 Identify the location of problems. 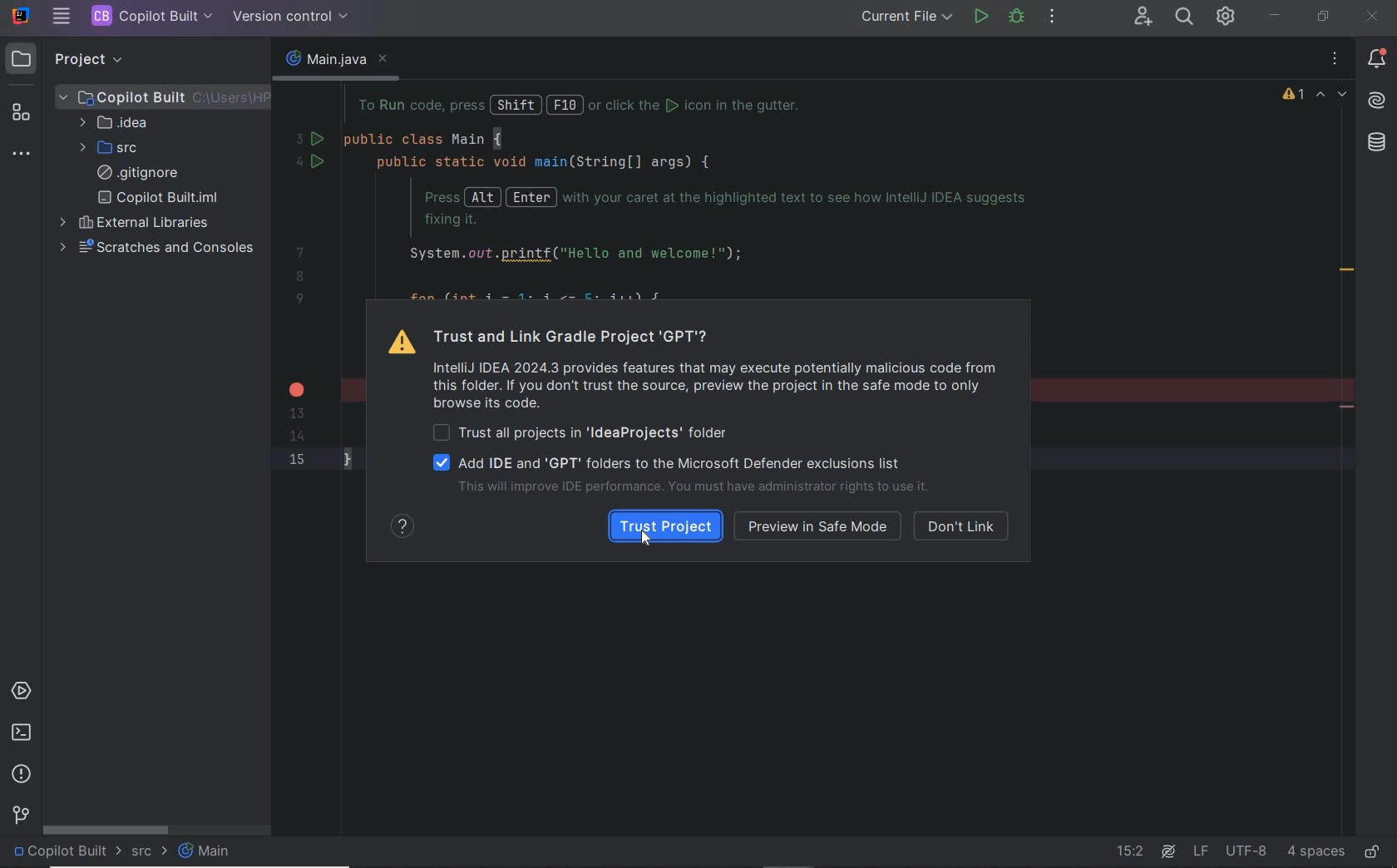
(22, 774).